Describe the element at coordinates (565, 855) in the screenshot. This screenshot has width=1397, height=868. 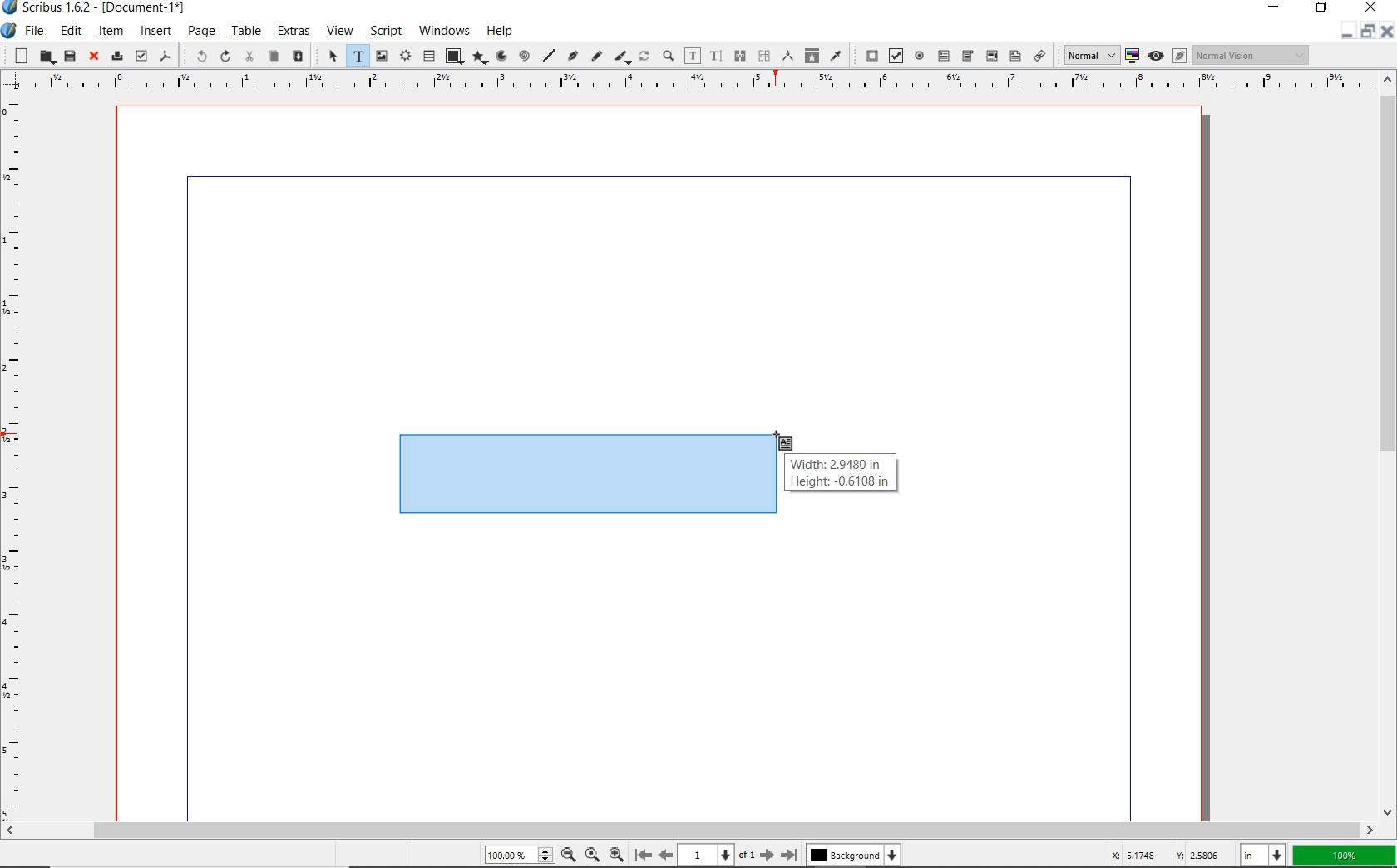
I see `Zoom out` at that location.